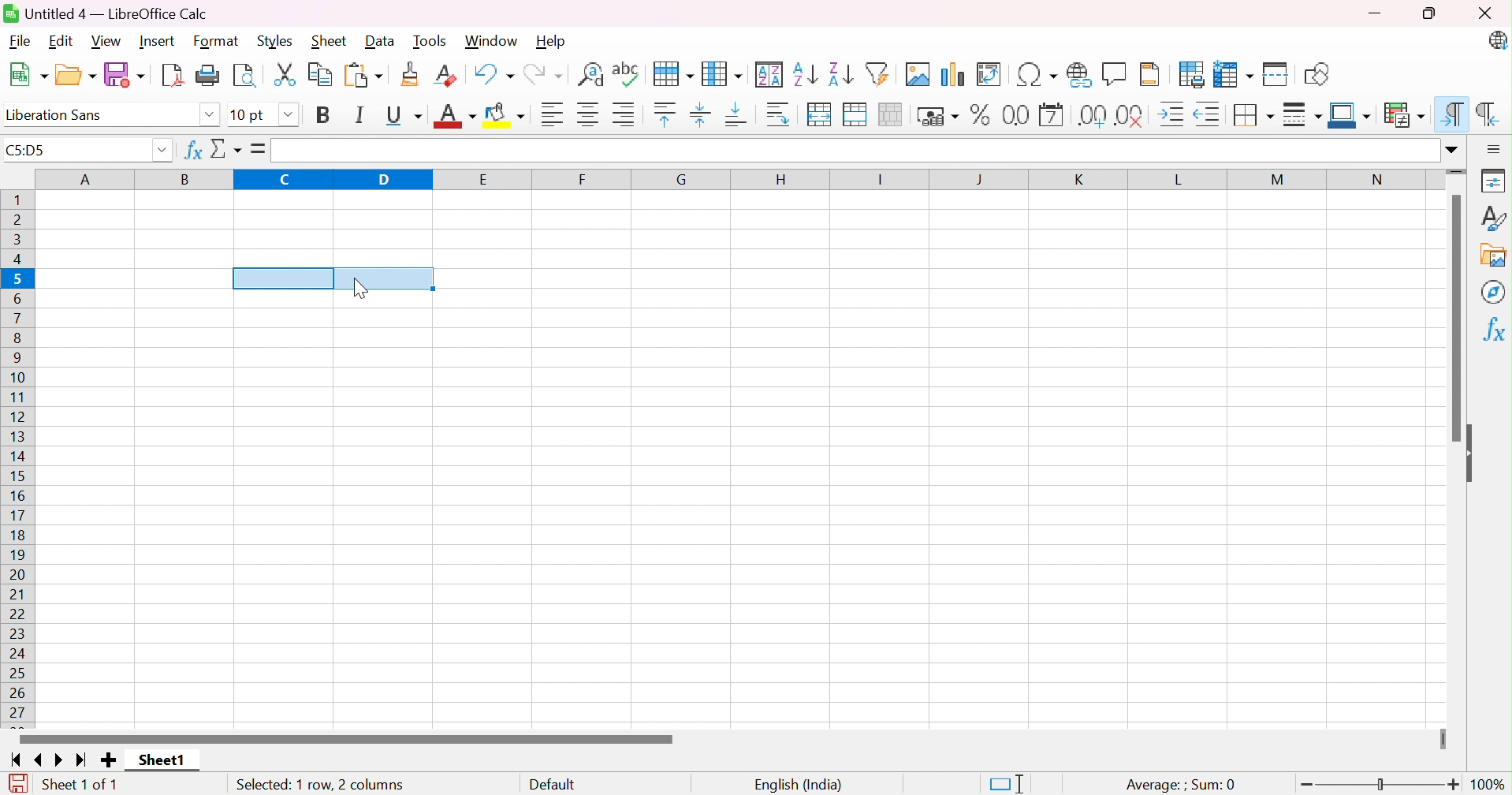  Describe the element at coordinates (1493, 216) in the screenshot. I see `Styles` at that location.